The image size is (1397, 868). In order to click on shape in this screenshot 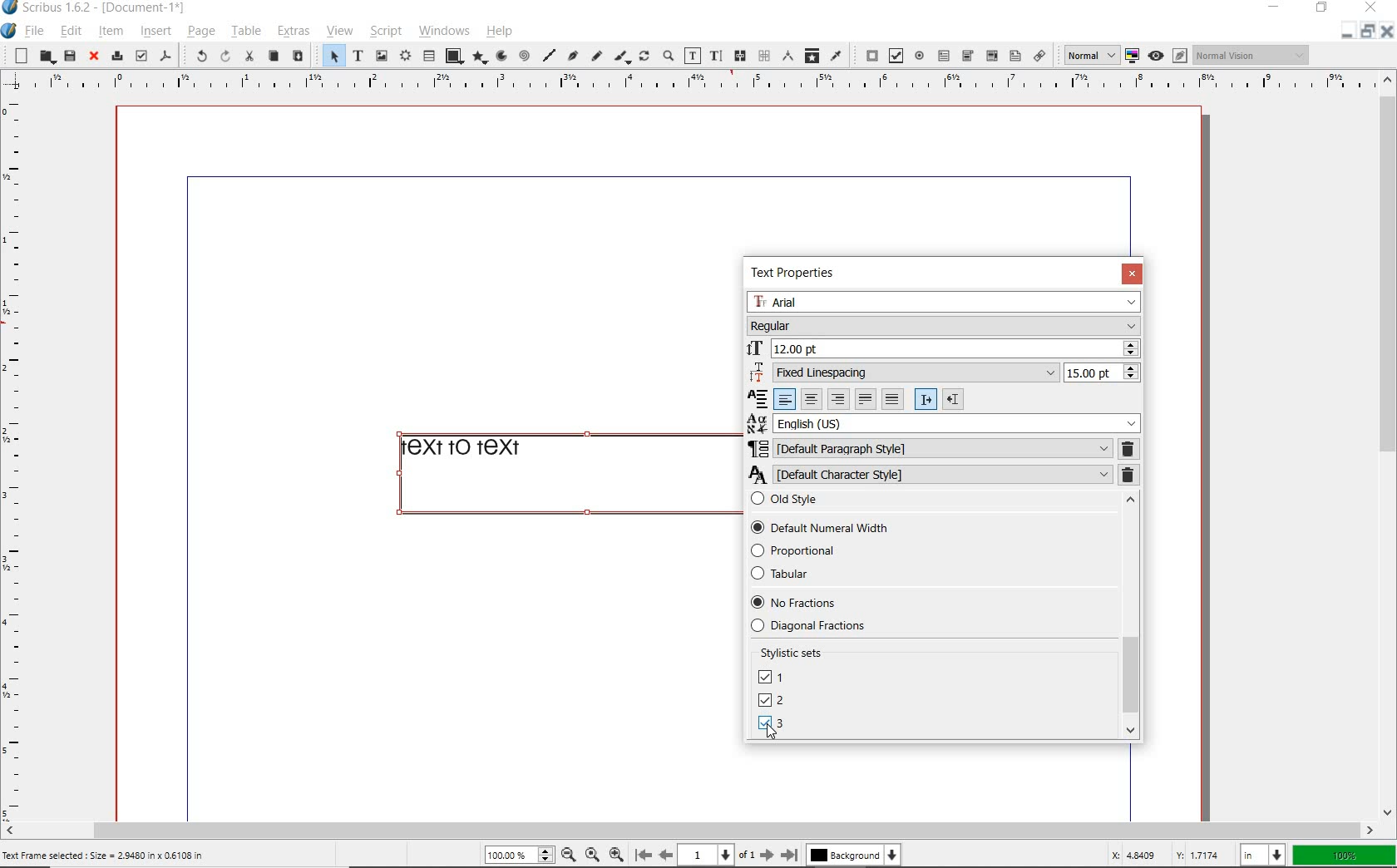, I will do `click(453, 57)`.